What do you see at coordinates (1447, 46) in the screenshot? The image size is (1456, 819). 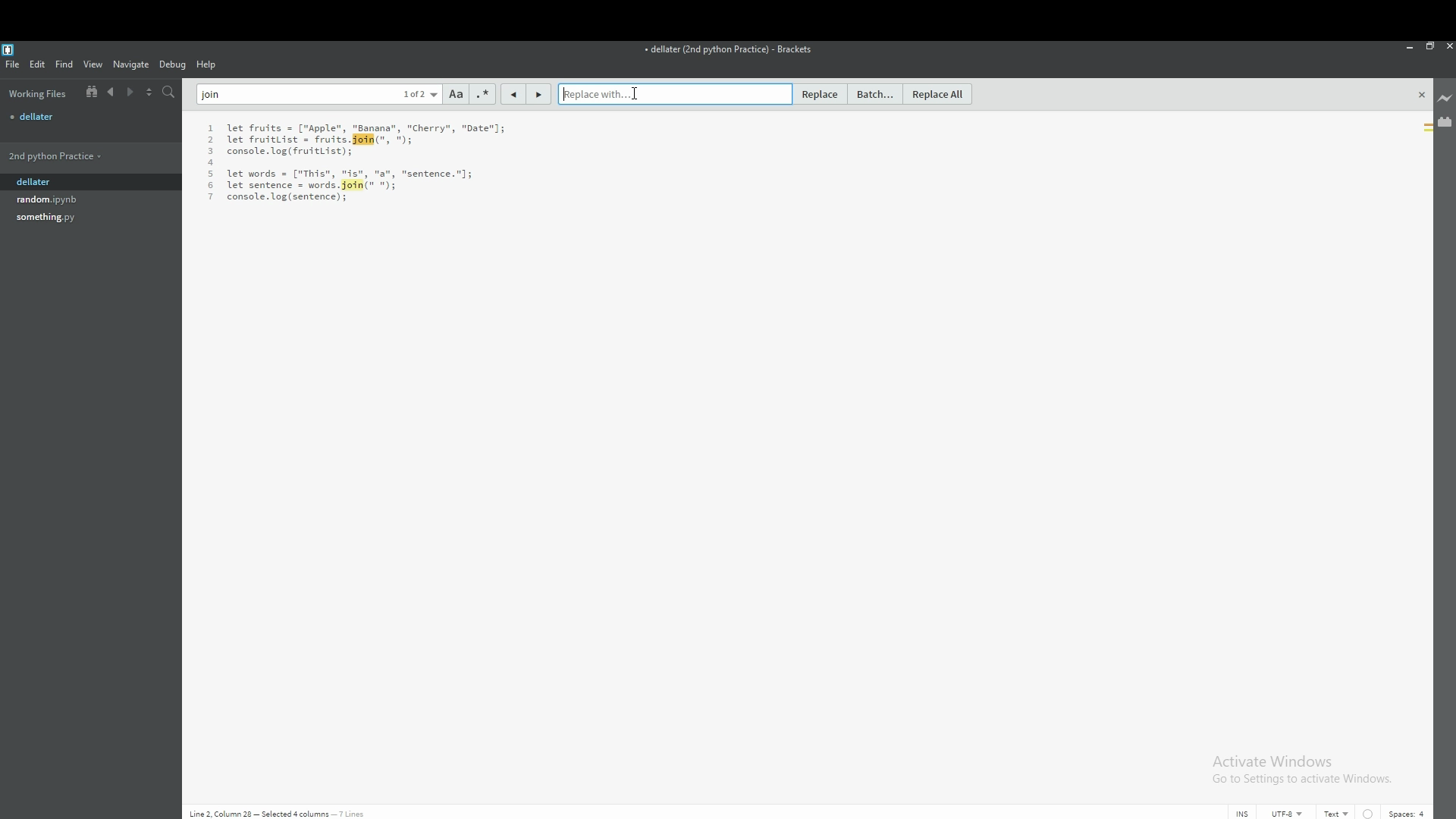 I see `close` at bounding box center [1447, 46].